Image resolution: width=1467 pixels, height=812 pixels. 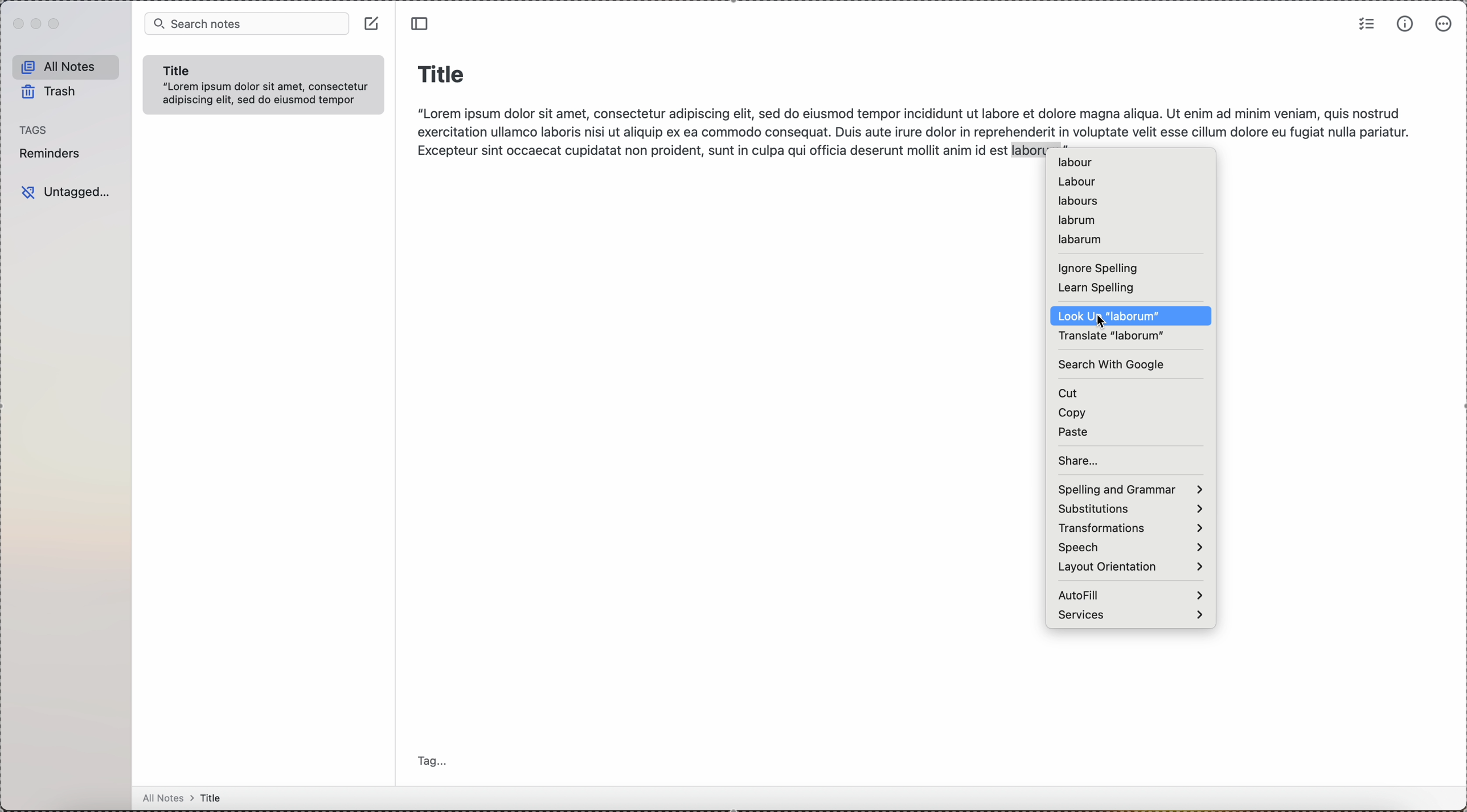 I want to click on autofill, so click(x=1130, y=594).